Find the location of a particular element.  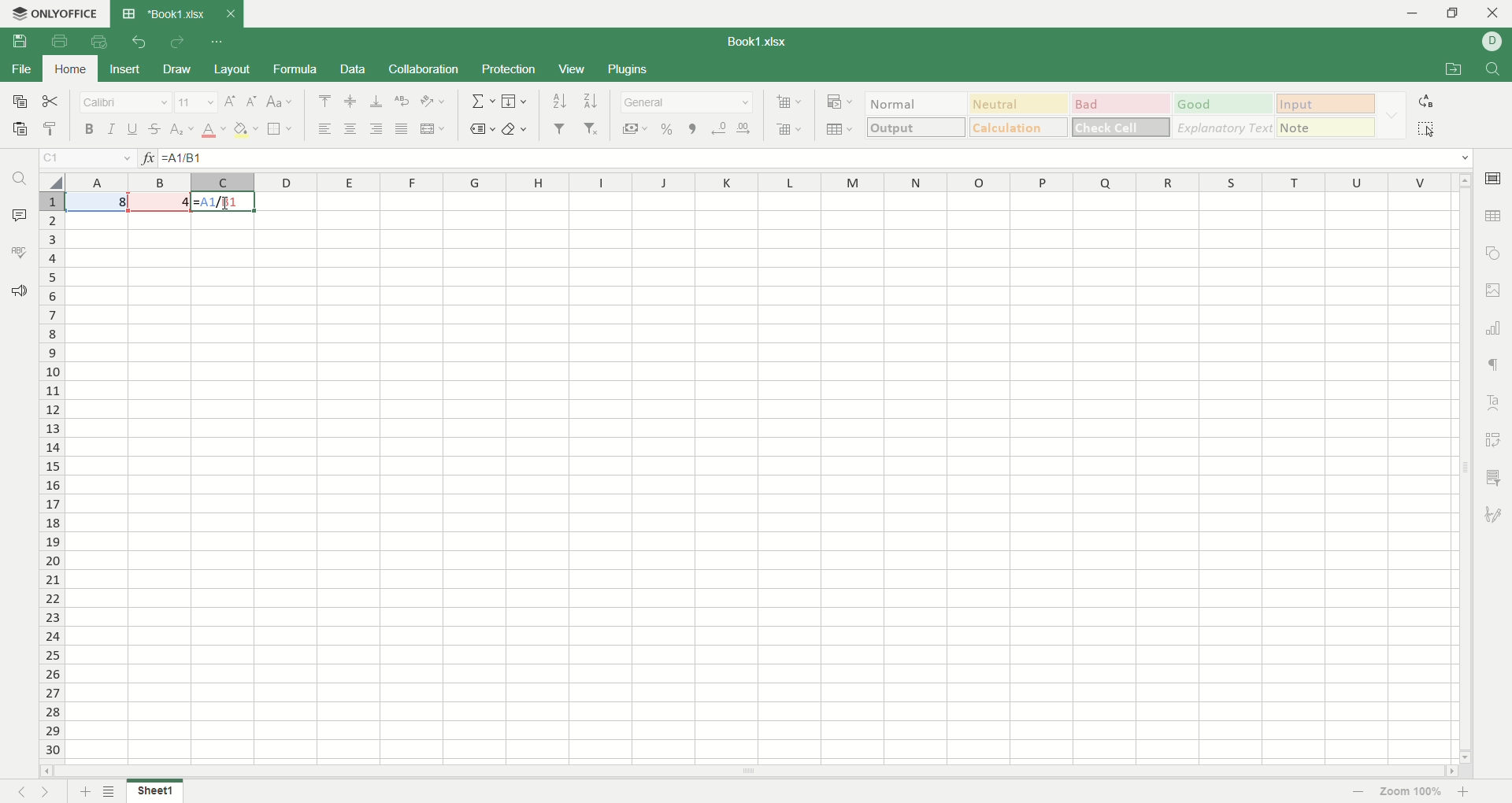

draw is located at coordinates (176, 68).